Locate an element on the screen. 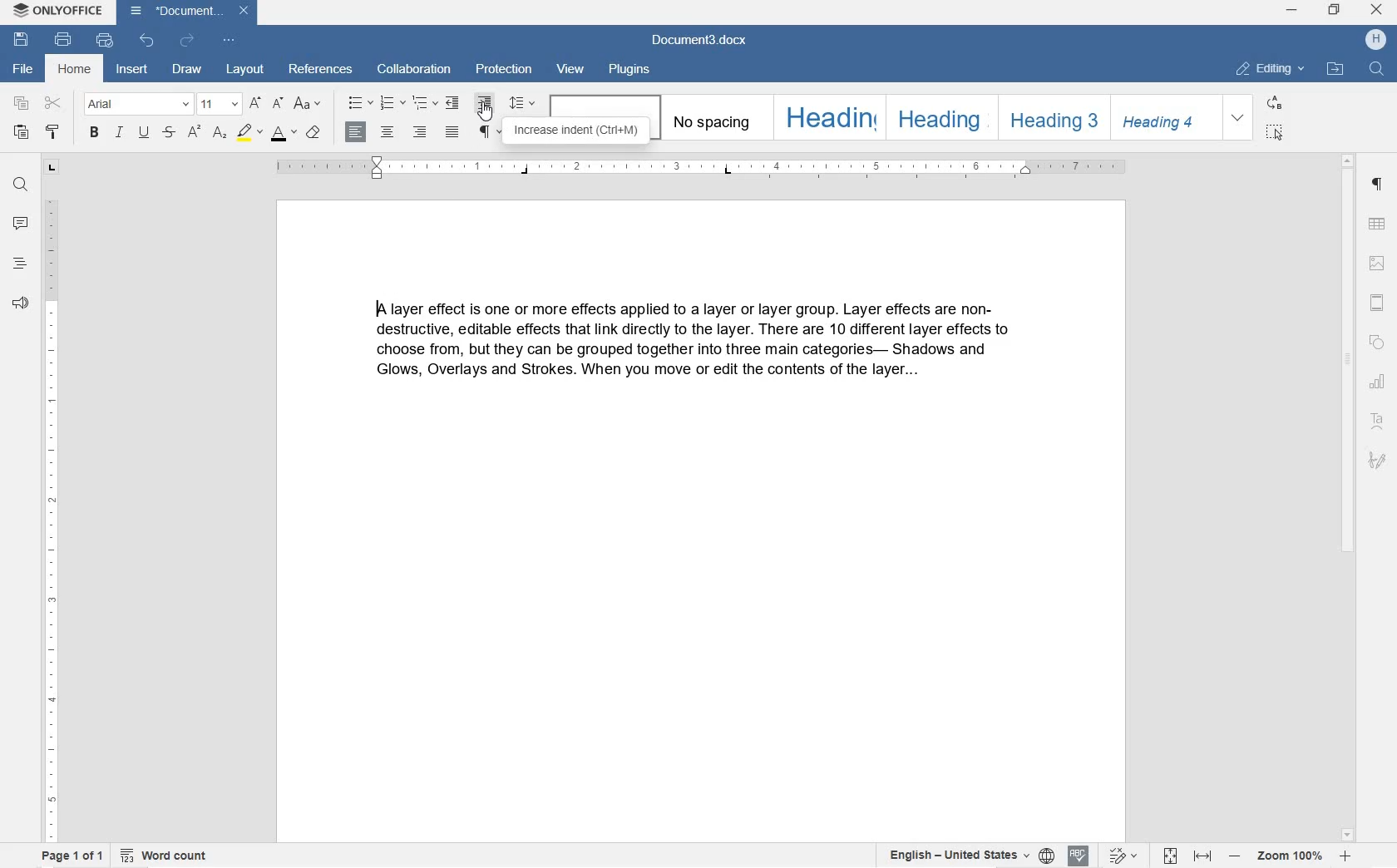 This screenshot has height=868, width=1397. REDO is located at coordinates (186, 42).